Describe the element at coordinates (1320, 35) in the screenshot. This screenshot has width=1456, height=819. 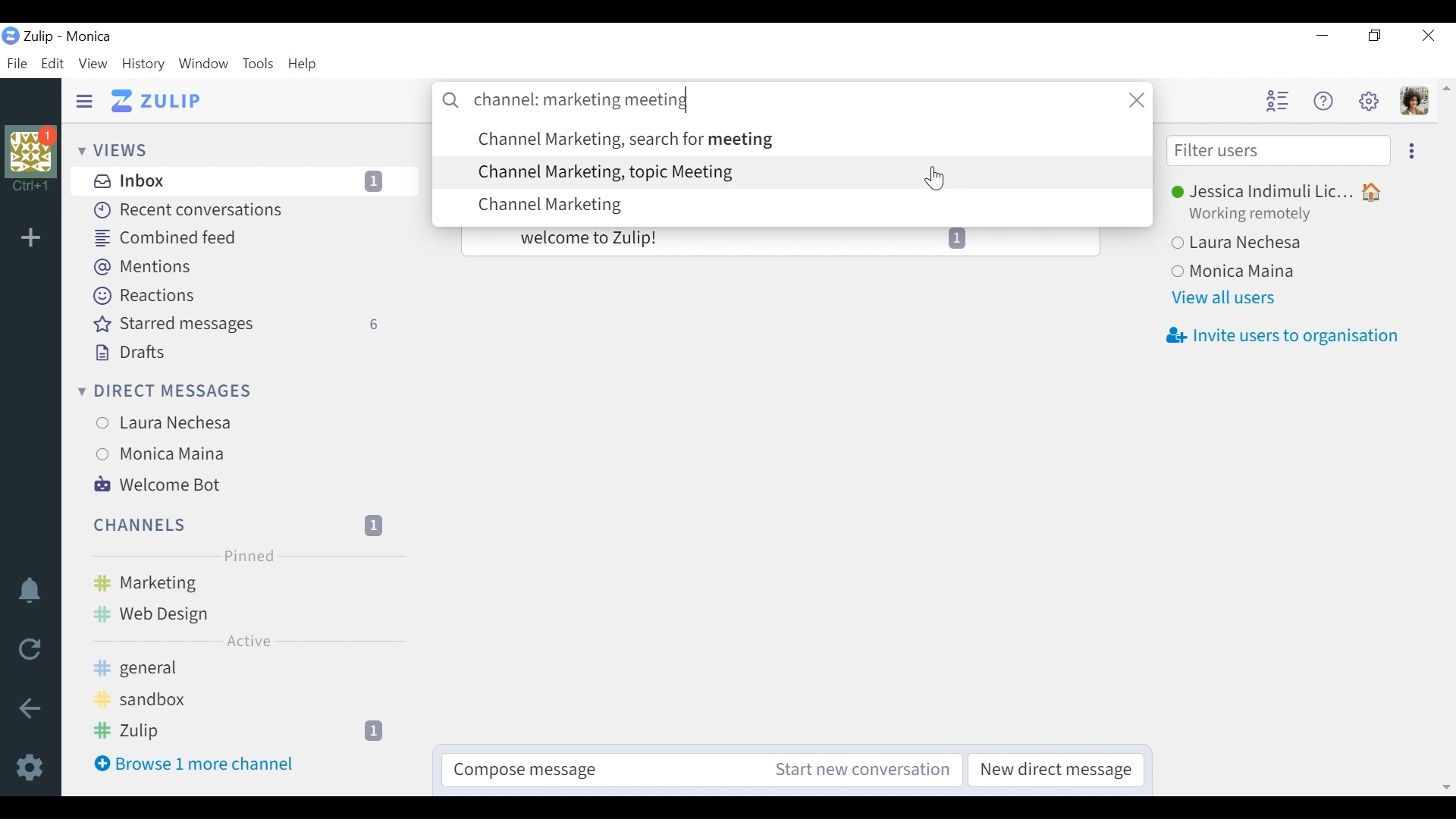
I see `minimize` at that location.